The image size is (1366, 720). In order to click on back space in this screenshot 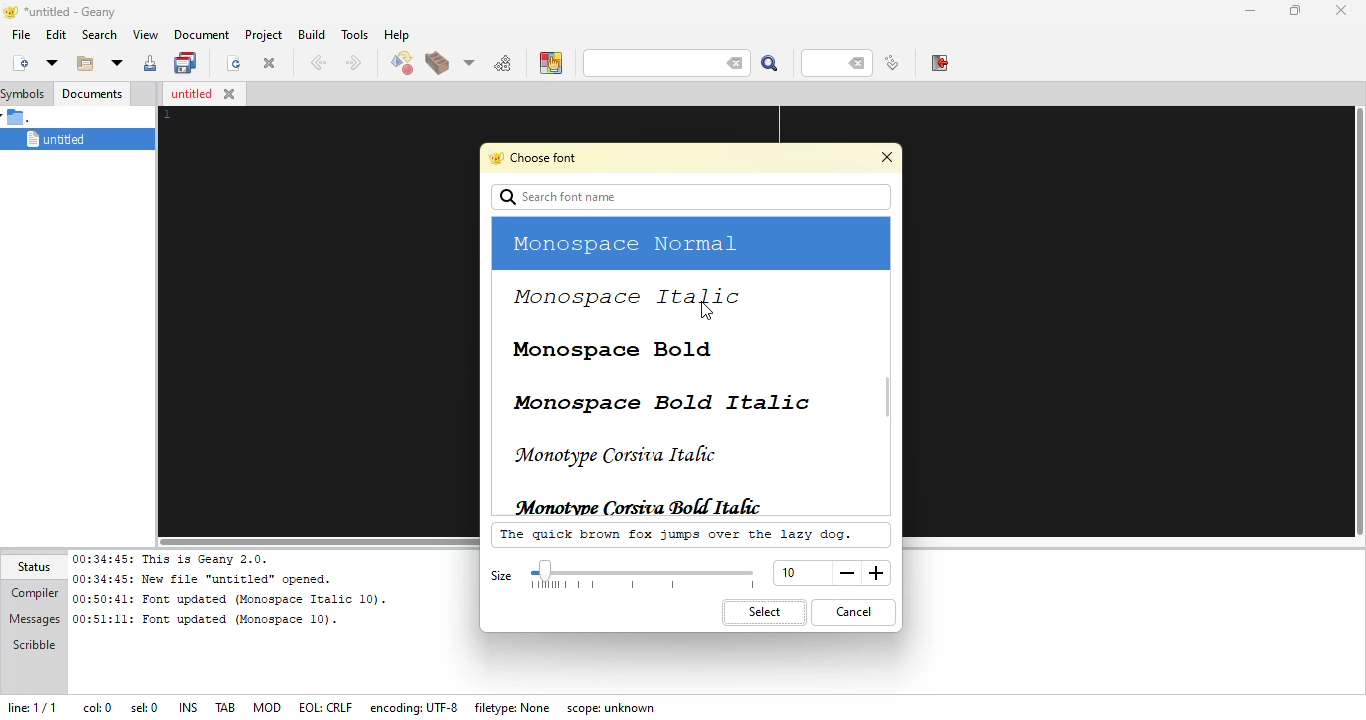, I will do `click(859, 64)`.